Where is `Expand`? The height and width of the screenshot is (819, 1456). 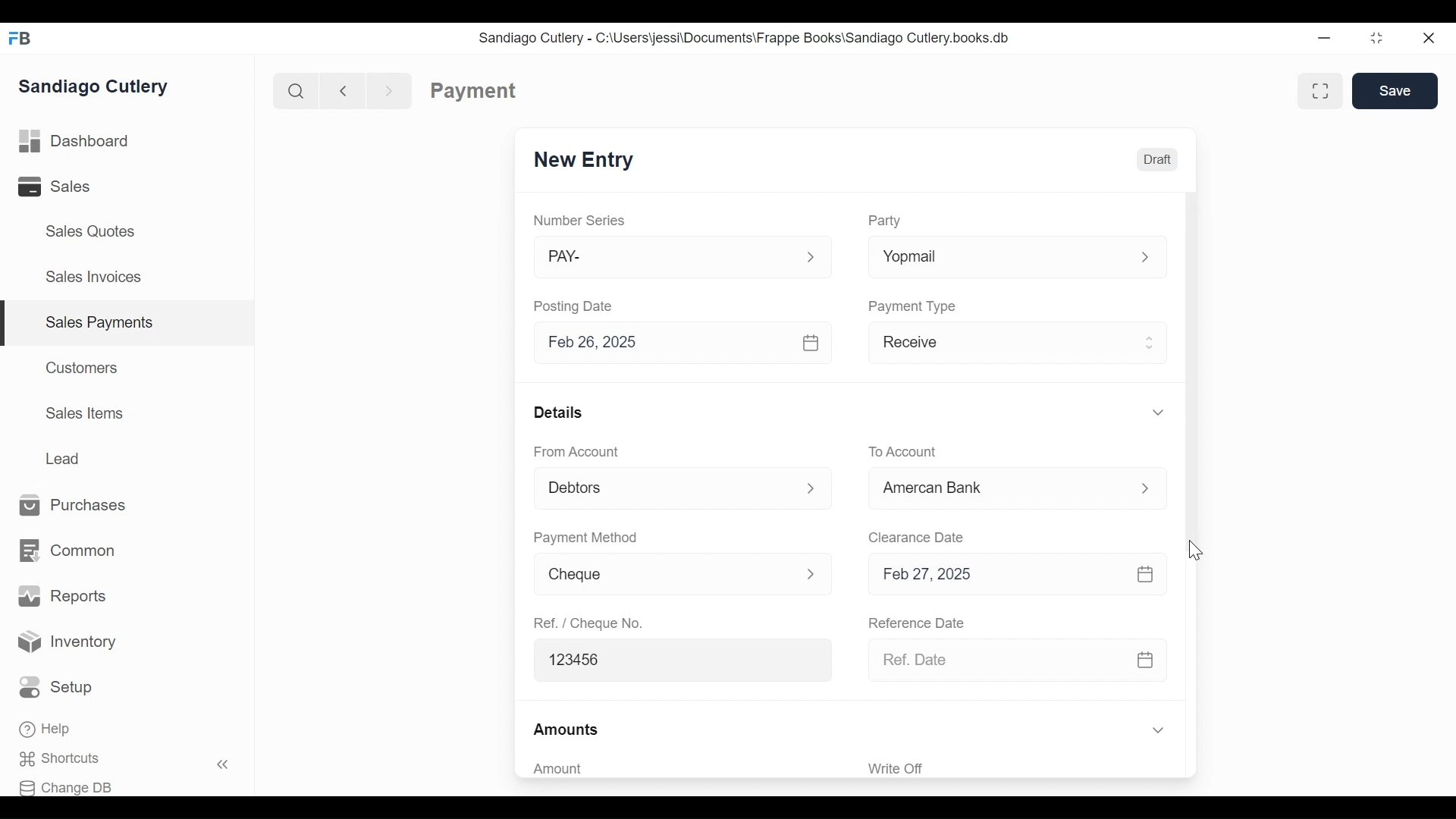 Expand is located at coordinates (811, 573).